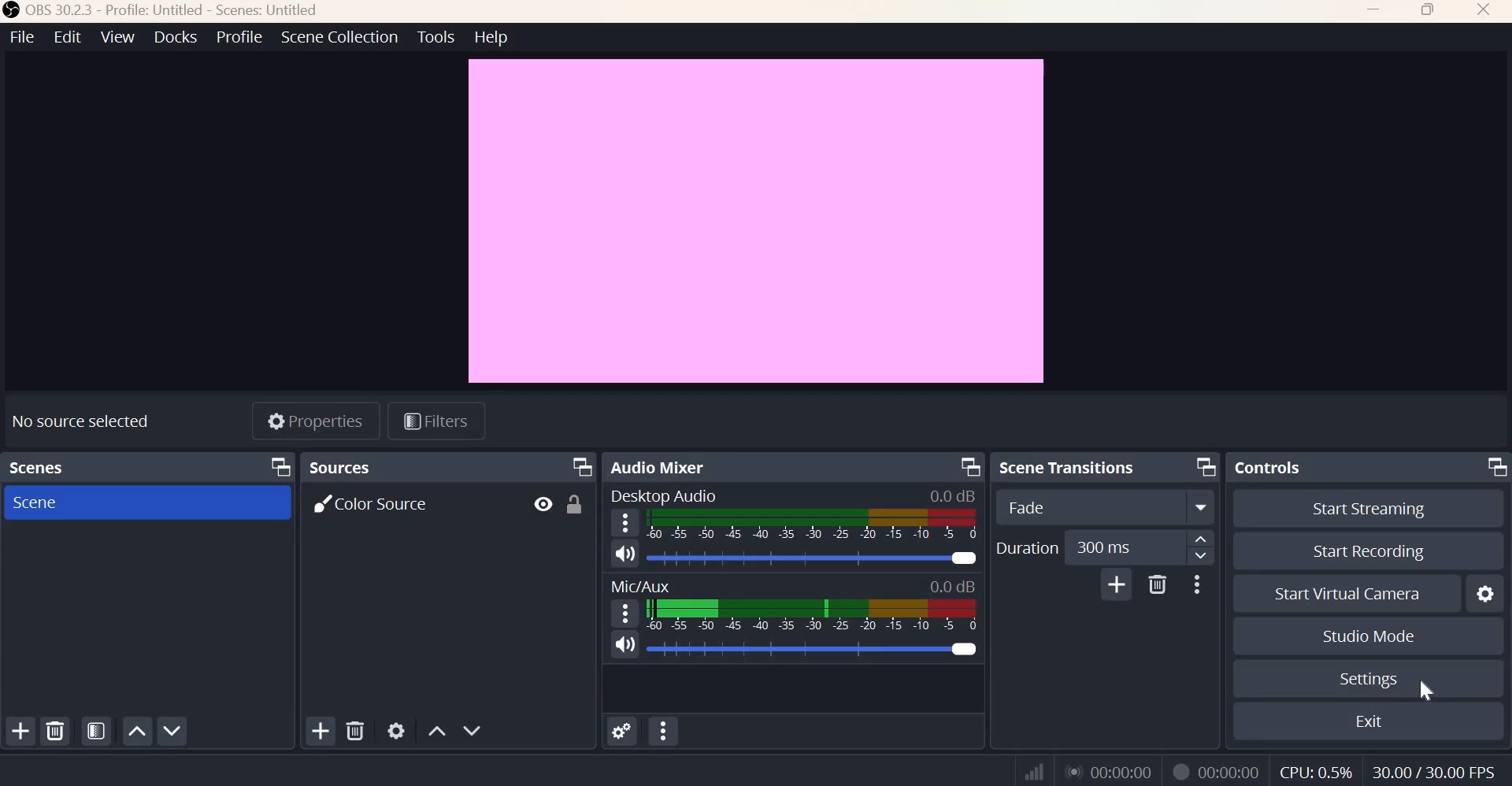 This screenshot has height=786, width=1512. What do you see at coordinates (1360, 507) in the screenshot?
I see `Start streaming` at bounding box center [1360, 507].